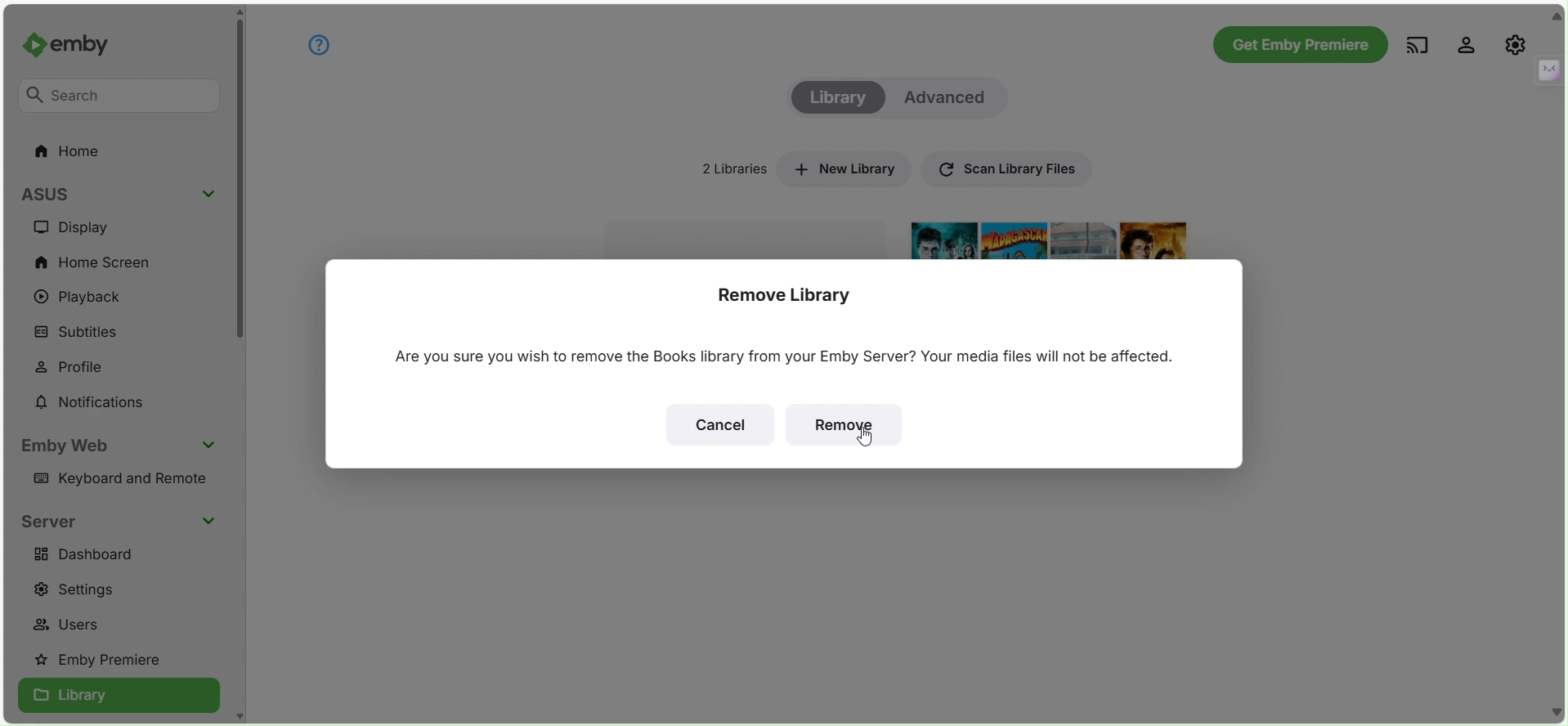 This screenshot has height=726, width=1568. I want to click on Display, so click(84, 227).